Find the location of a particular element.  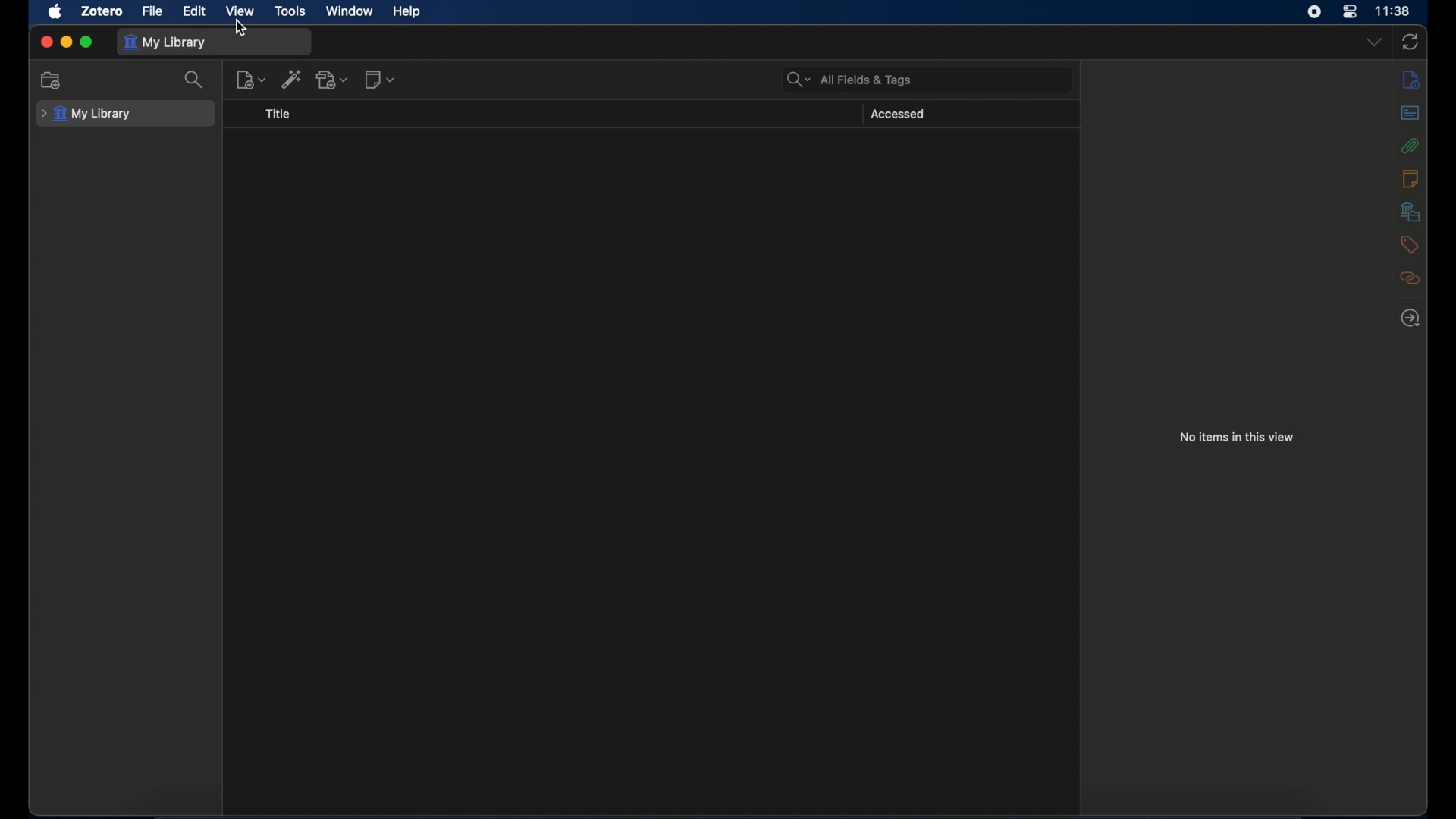

help is located at coordinates (408, 12).